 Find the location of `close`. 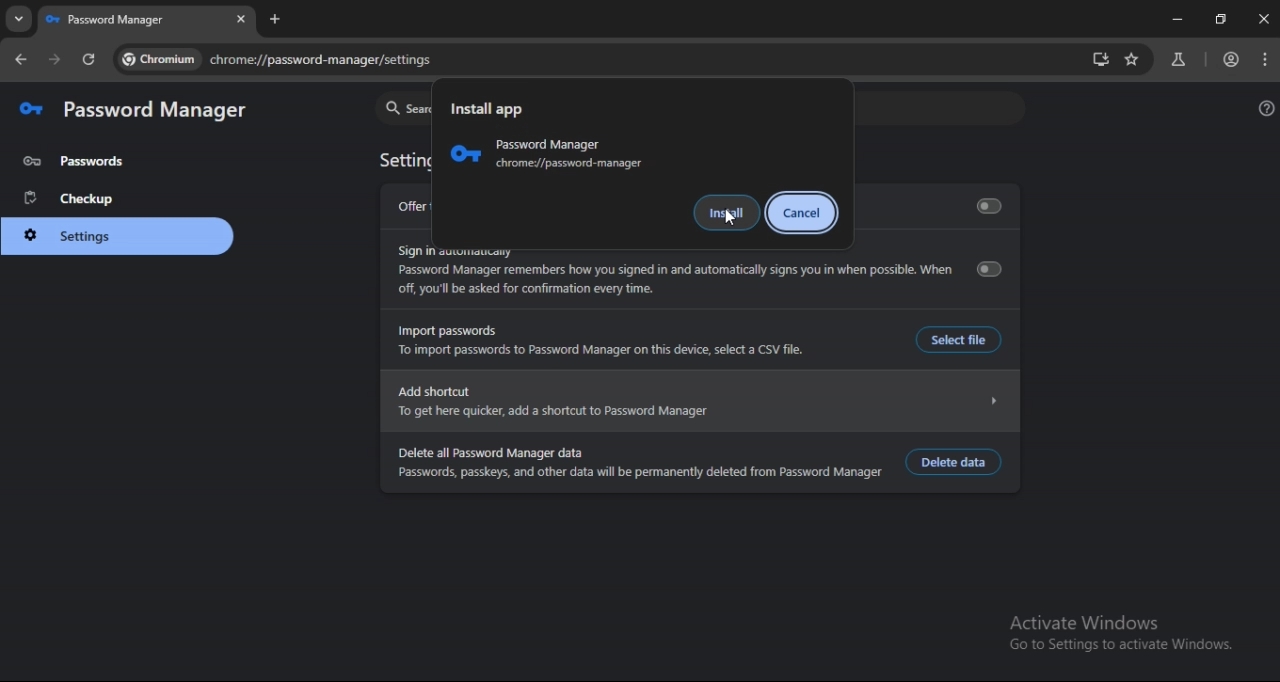

close is located at coordinates (1262, 20).